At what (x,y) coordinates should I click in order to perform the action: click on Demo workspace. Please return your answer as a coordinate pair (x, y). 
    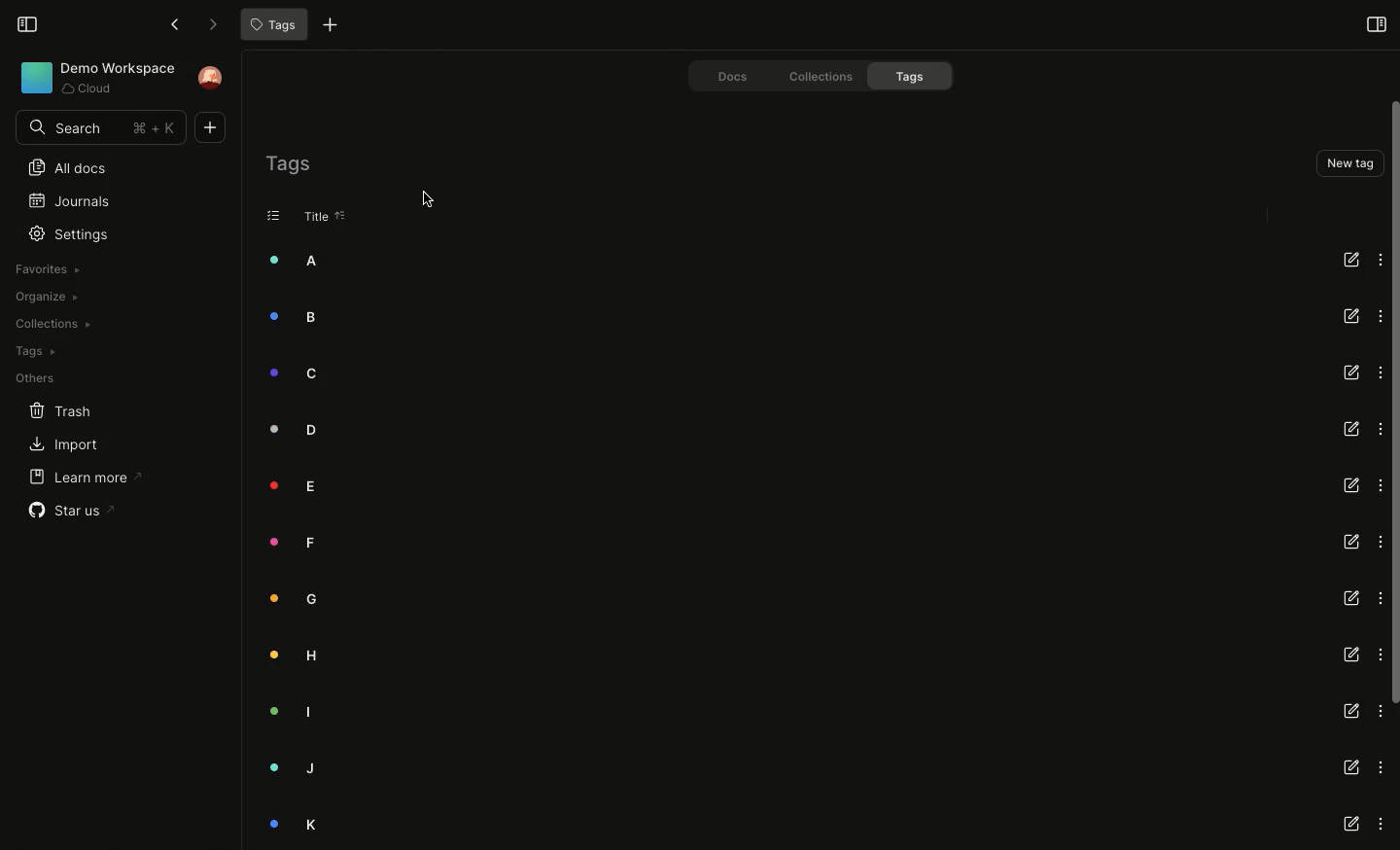
    Looking at the image, I should click on (91, 79).